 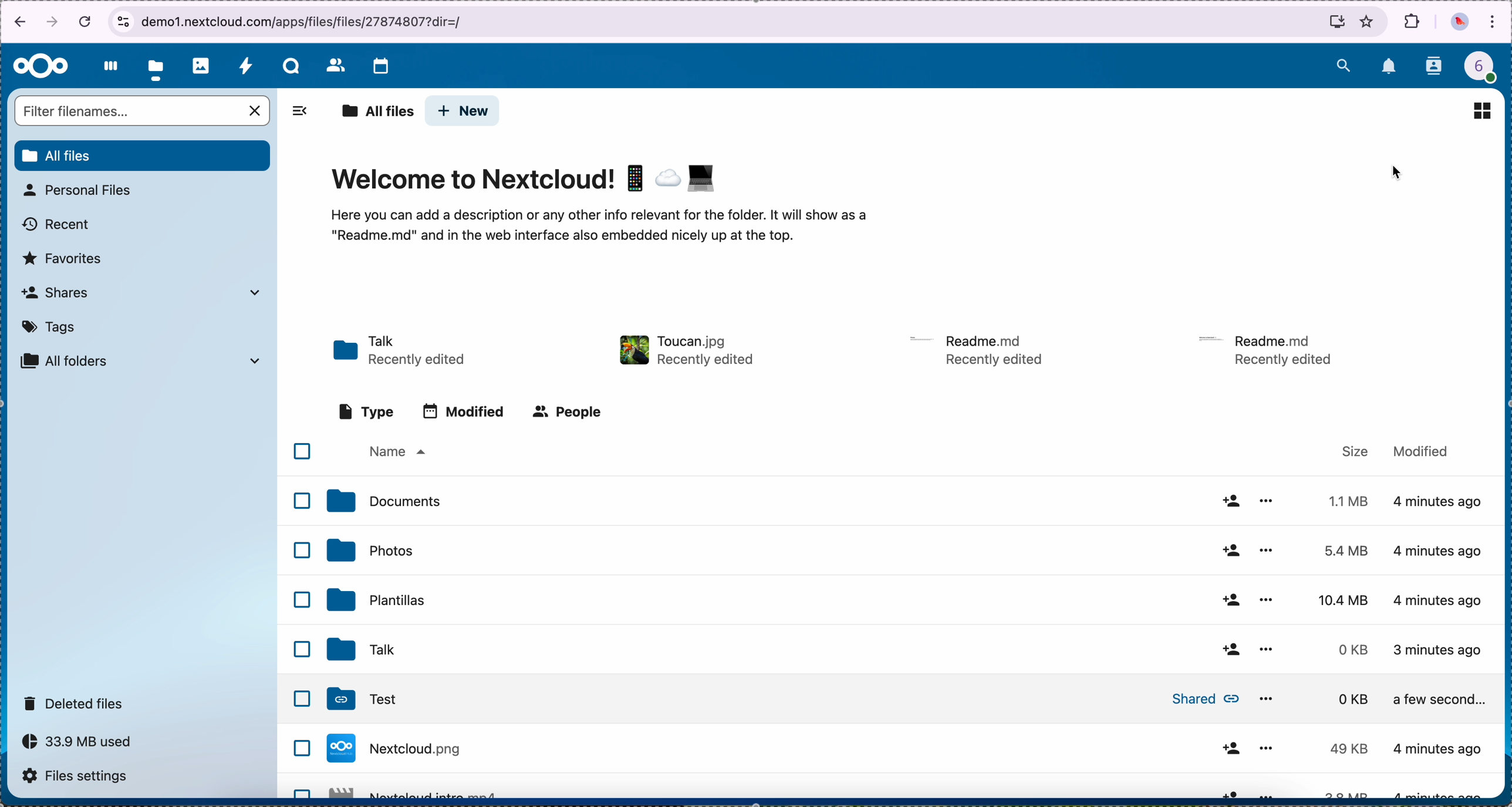 What do you see at coordinates (380, 67) in the screenshot?
I see `calendar` at bounding box center [380, 67].